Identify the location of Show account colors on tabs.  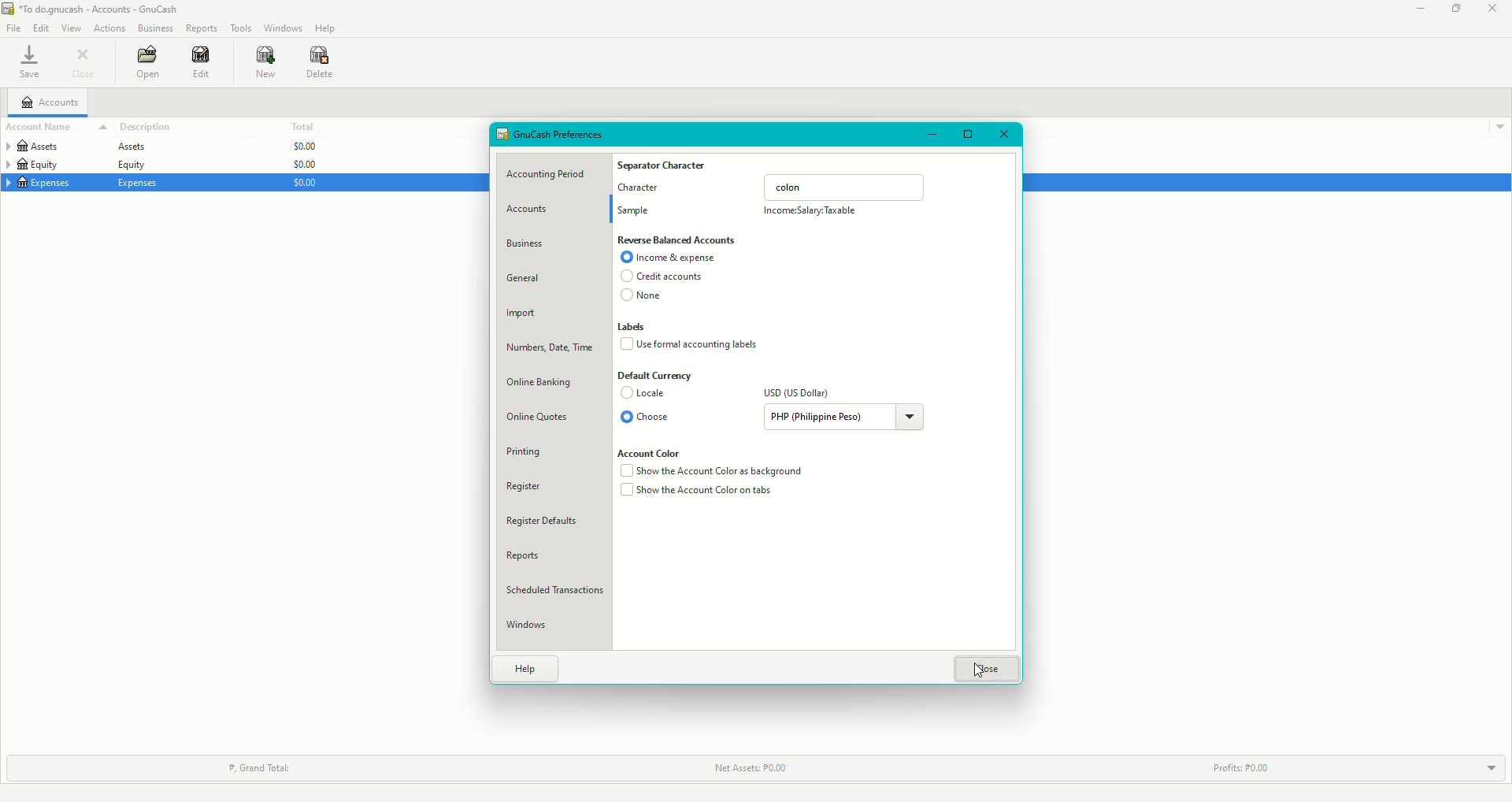
(699, 492).